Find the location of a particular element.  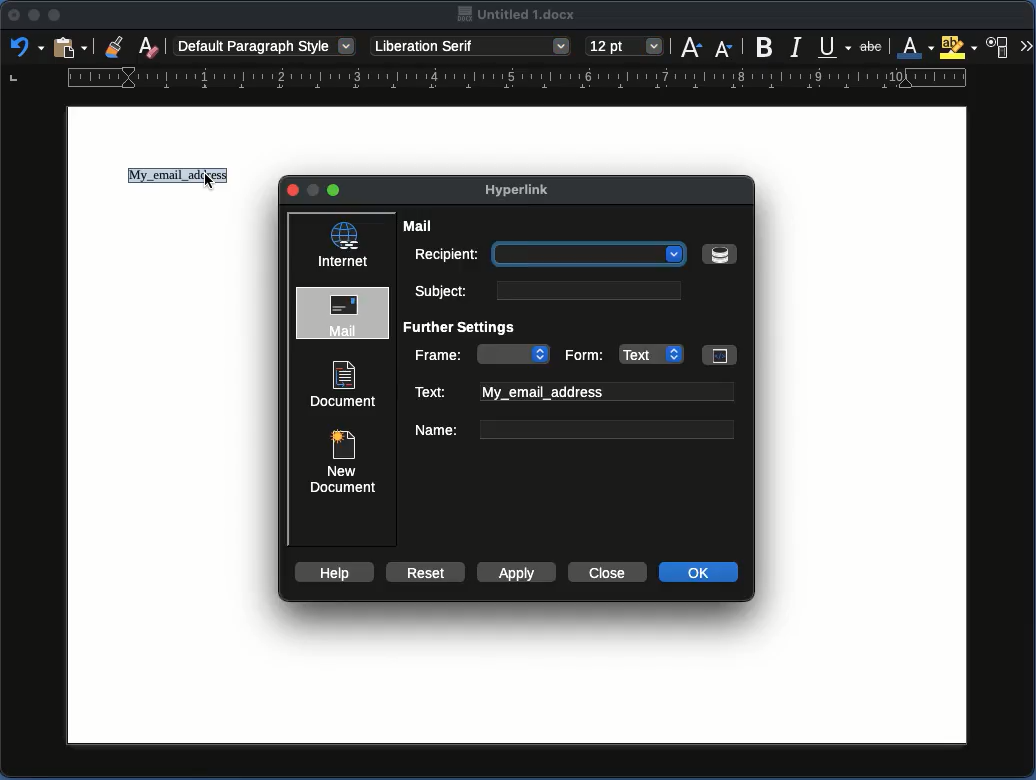

Mail is located at coordinates (421, 226).